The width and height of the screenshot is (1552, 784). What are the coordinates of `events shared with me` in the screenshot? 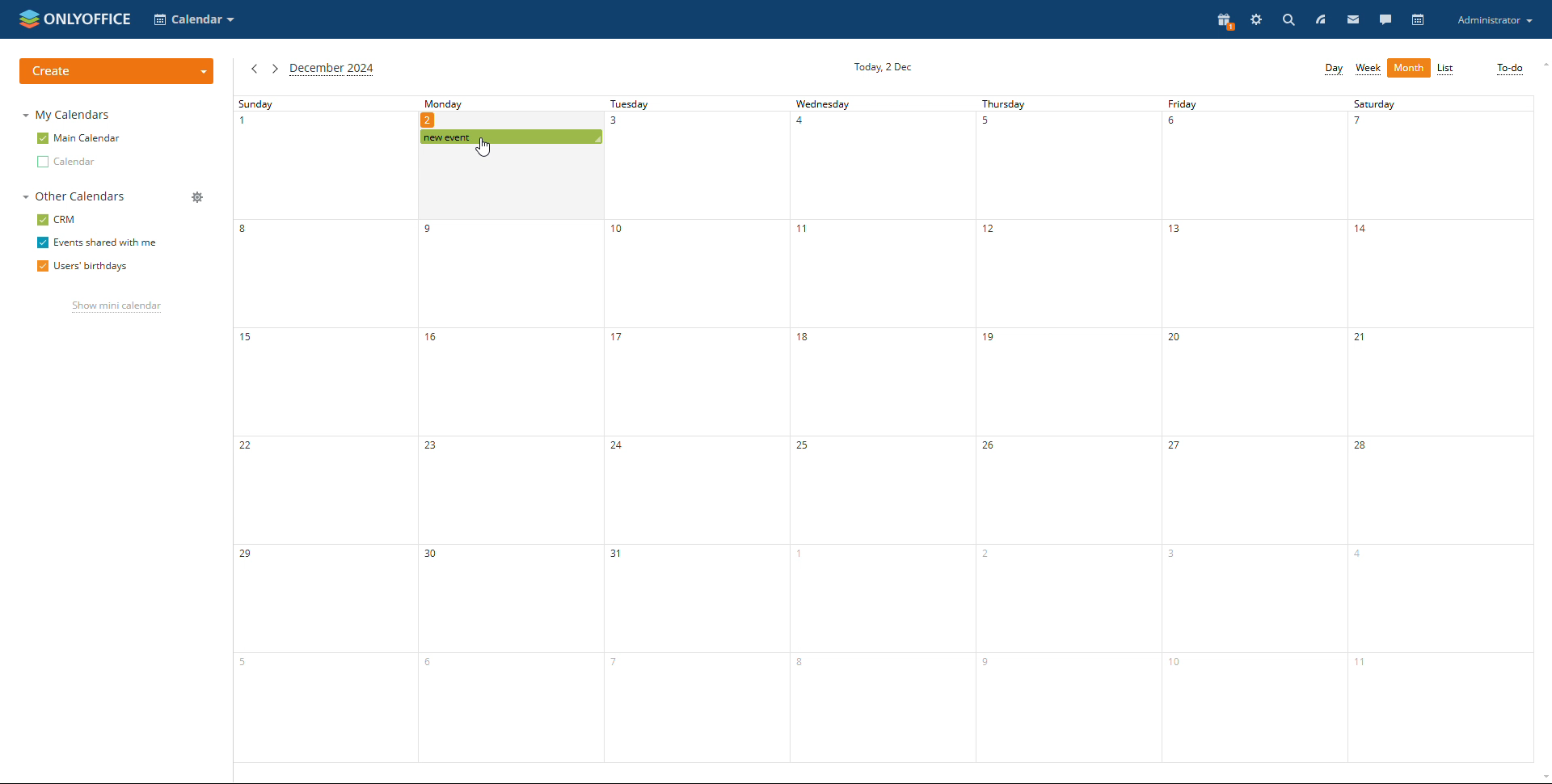 It's located at (97, 242).